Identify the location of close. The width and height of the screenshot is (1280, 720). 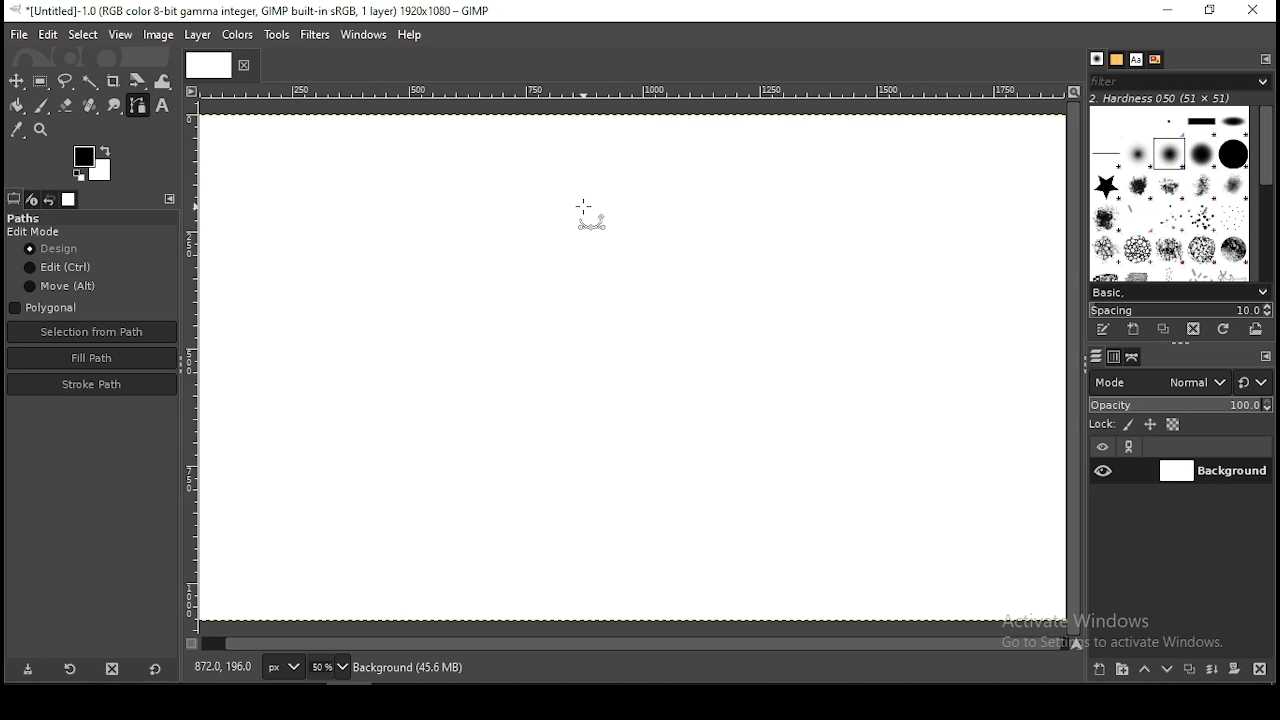
(244, 68).